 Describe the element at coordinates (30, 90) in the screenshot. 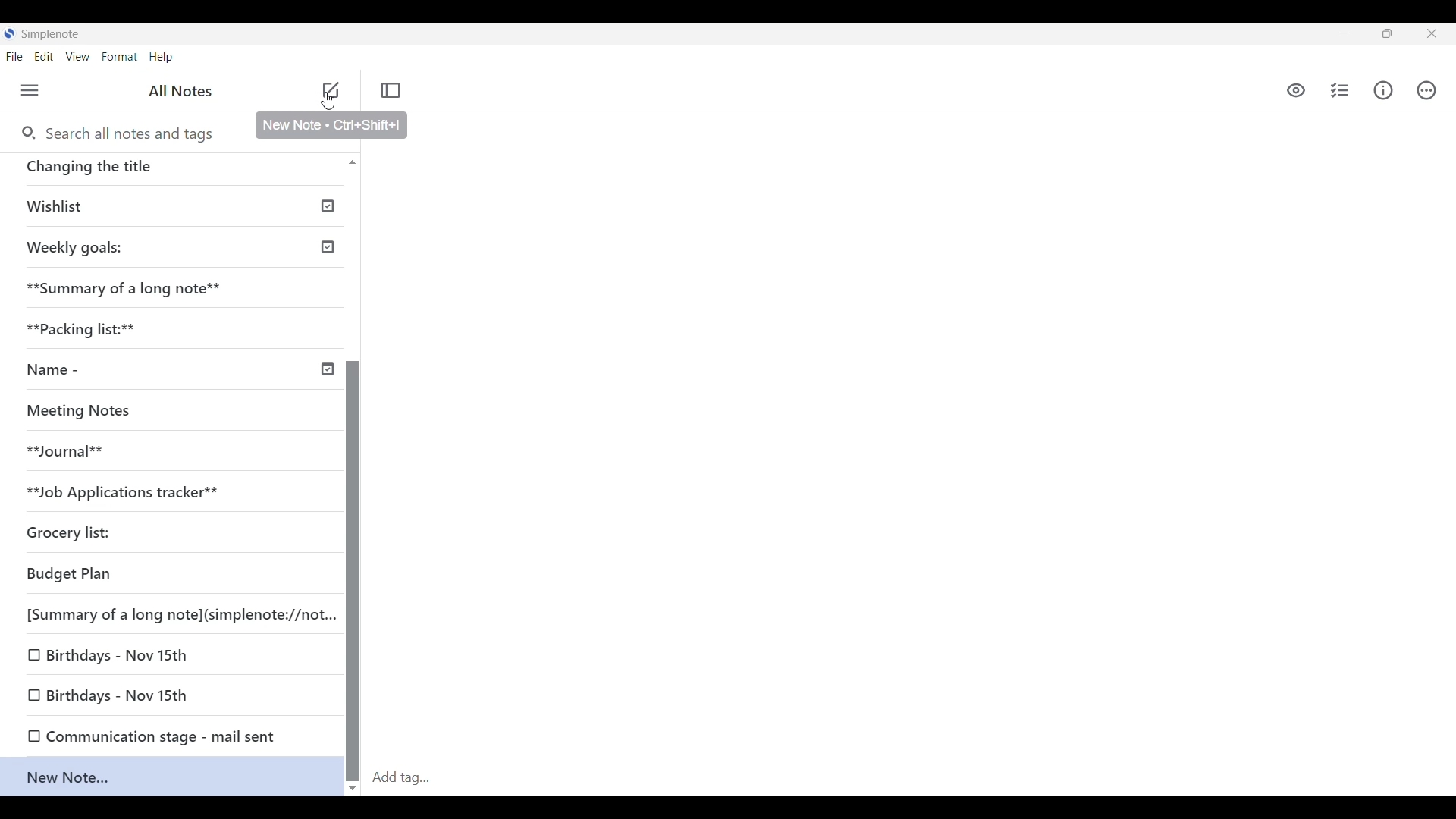

I see `Menu` at that location.